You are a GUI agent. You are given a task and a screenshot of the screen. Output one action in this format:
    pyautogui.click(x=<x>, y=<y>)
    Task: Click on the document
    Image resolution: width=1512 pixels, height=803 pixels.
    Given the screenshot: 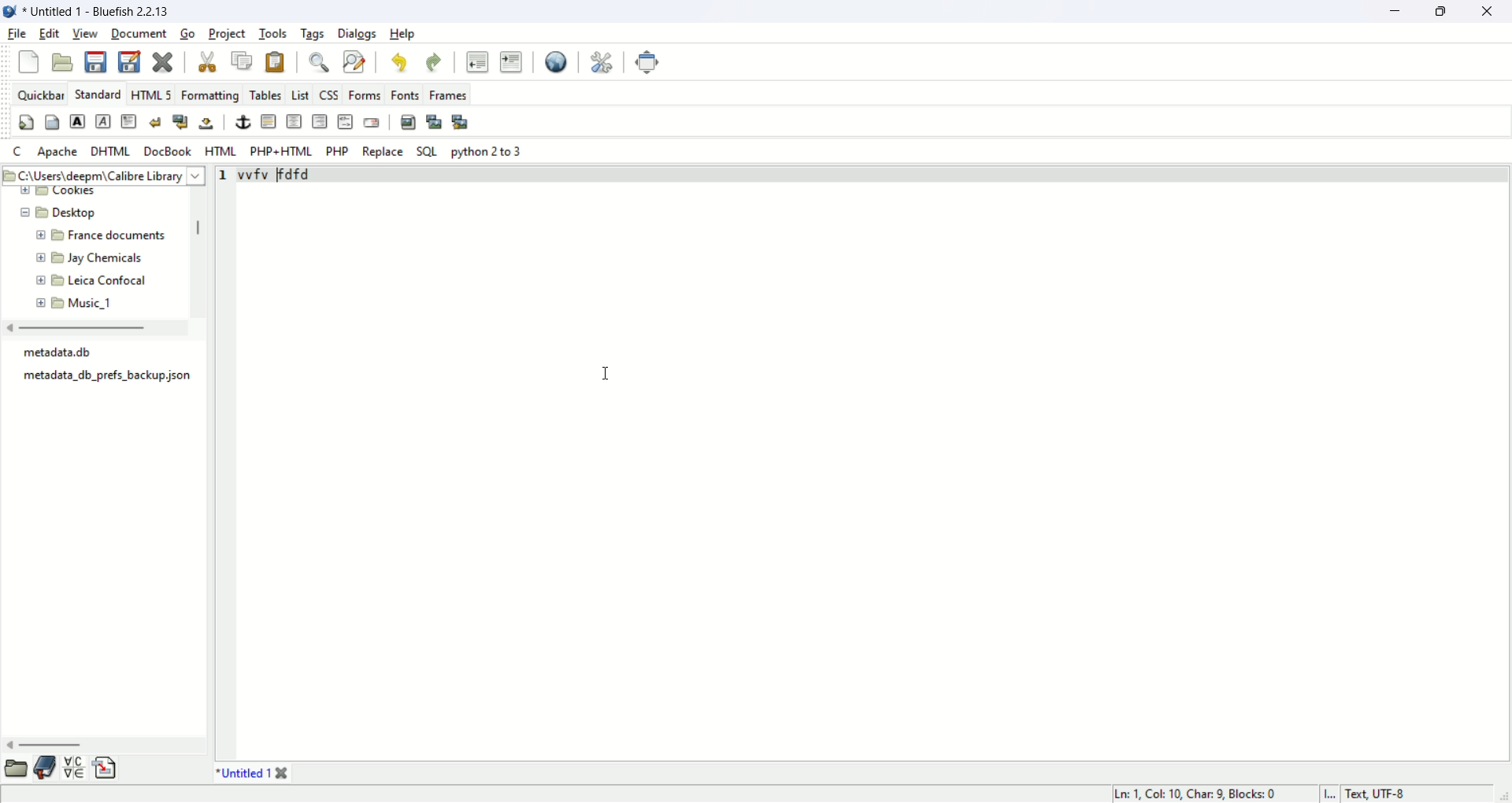 What is the action you would take?
    pyautogui.click(x=138, y=35)
    